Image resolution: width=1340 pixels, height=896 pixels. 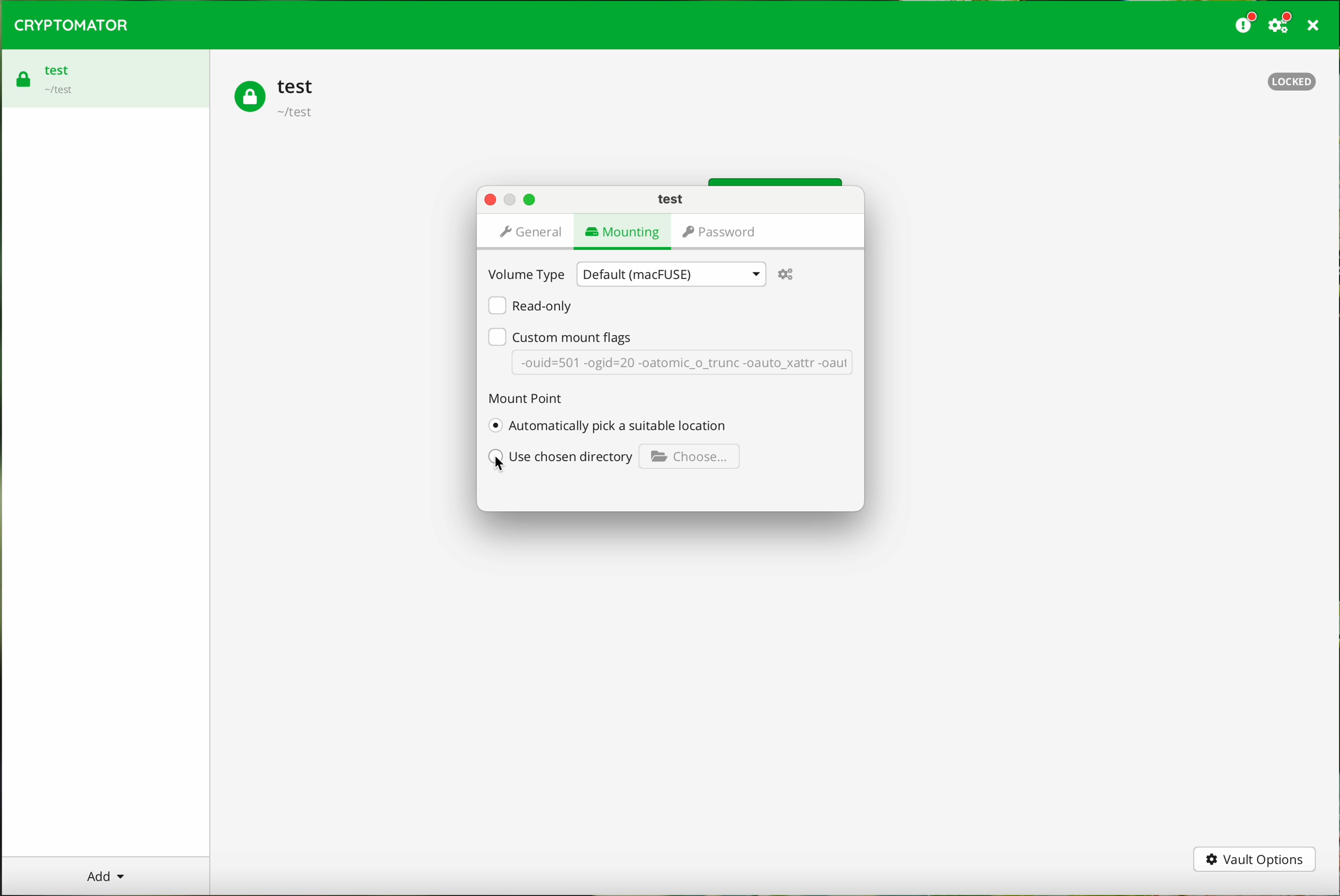 I want to click on cursor, so click(x=501, y=462).